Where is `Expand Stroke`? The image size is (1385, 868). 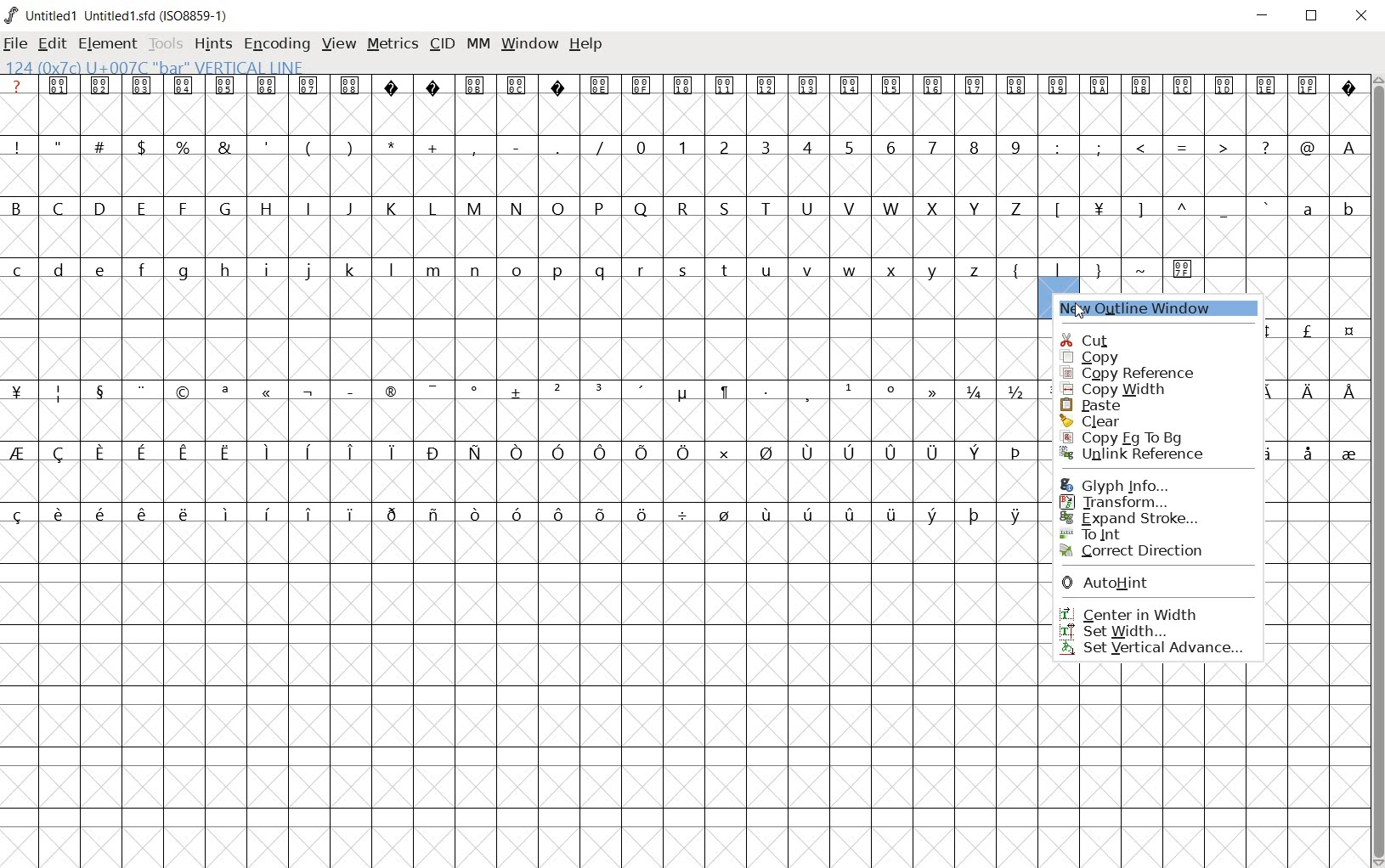 Expand Stroke is located at coordinates (1158, 517).